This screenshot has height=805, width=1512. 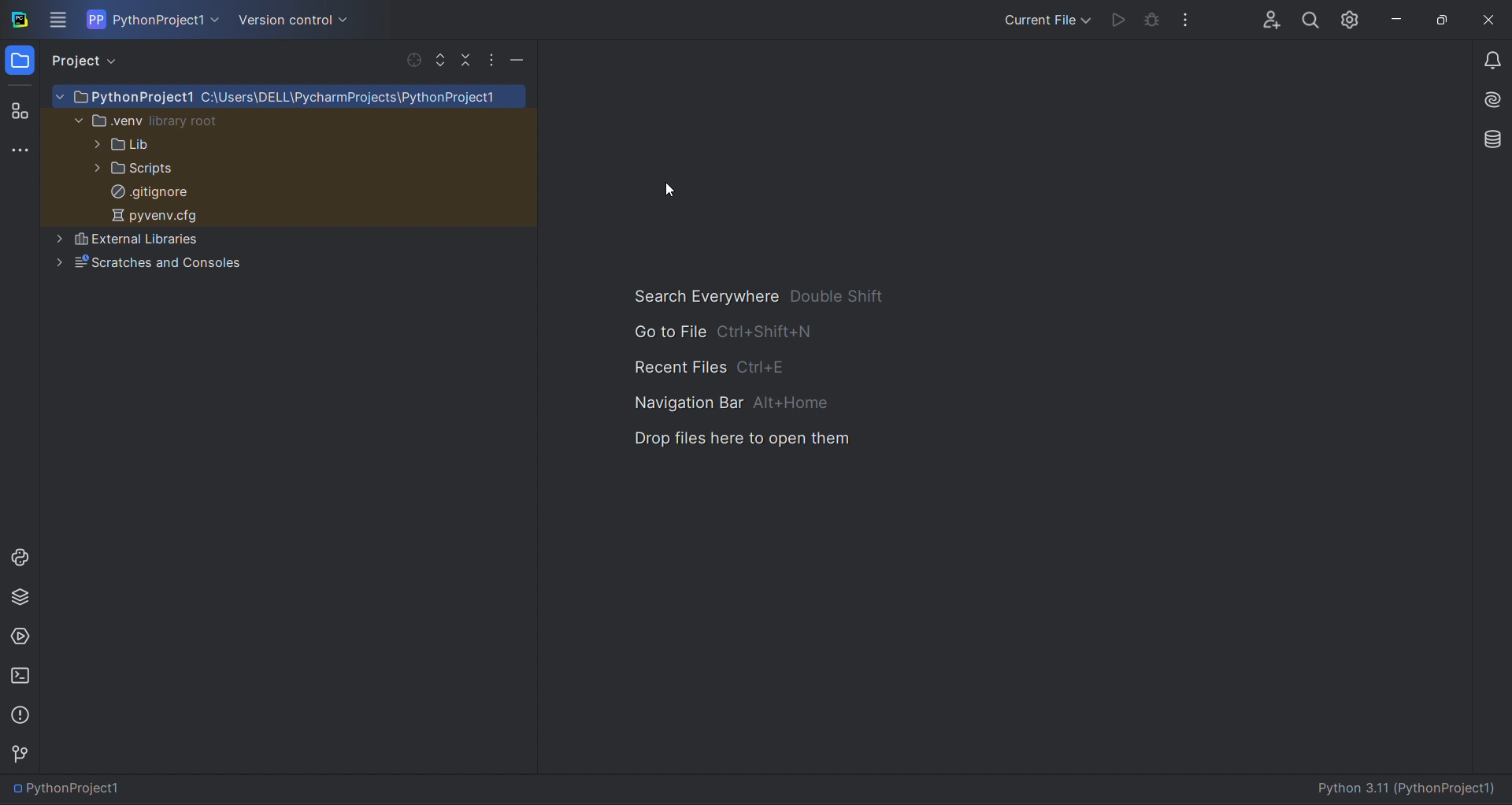 I want to click on Recent Files, so click(x=713, y=369).